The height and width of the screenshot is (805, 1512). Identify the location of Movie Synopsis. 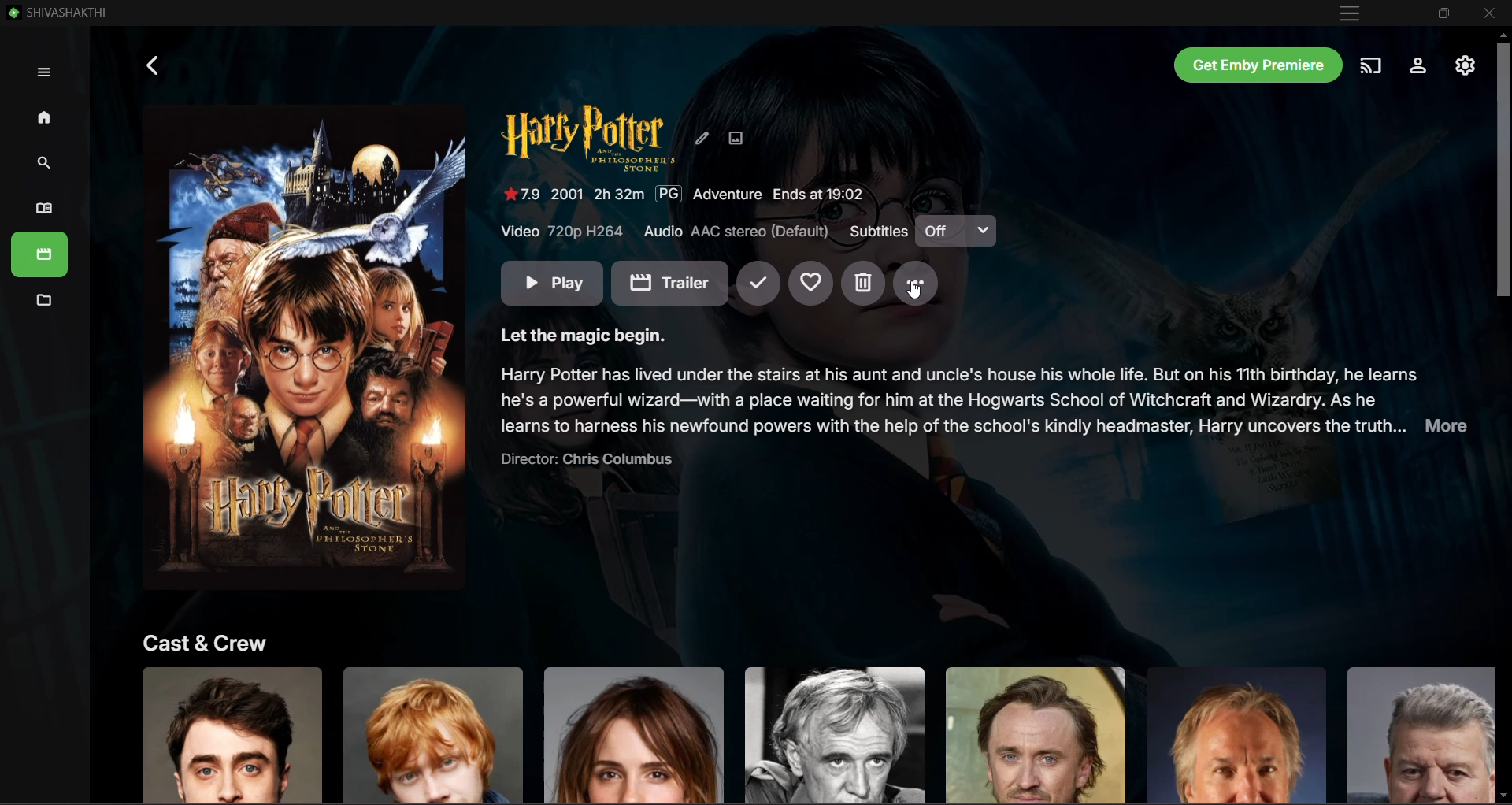
(985, 398).